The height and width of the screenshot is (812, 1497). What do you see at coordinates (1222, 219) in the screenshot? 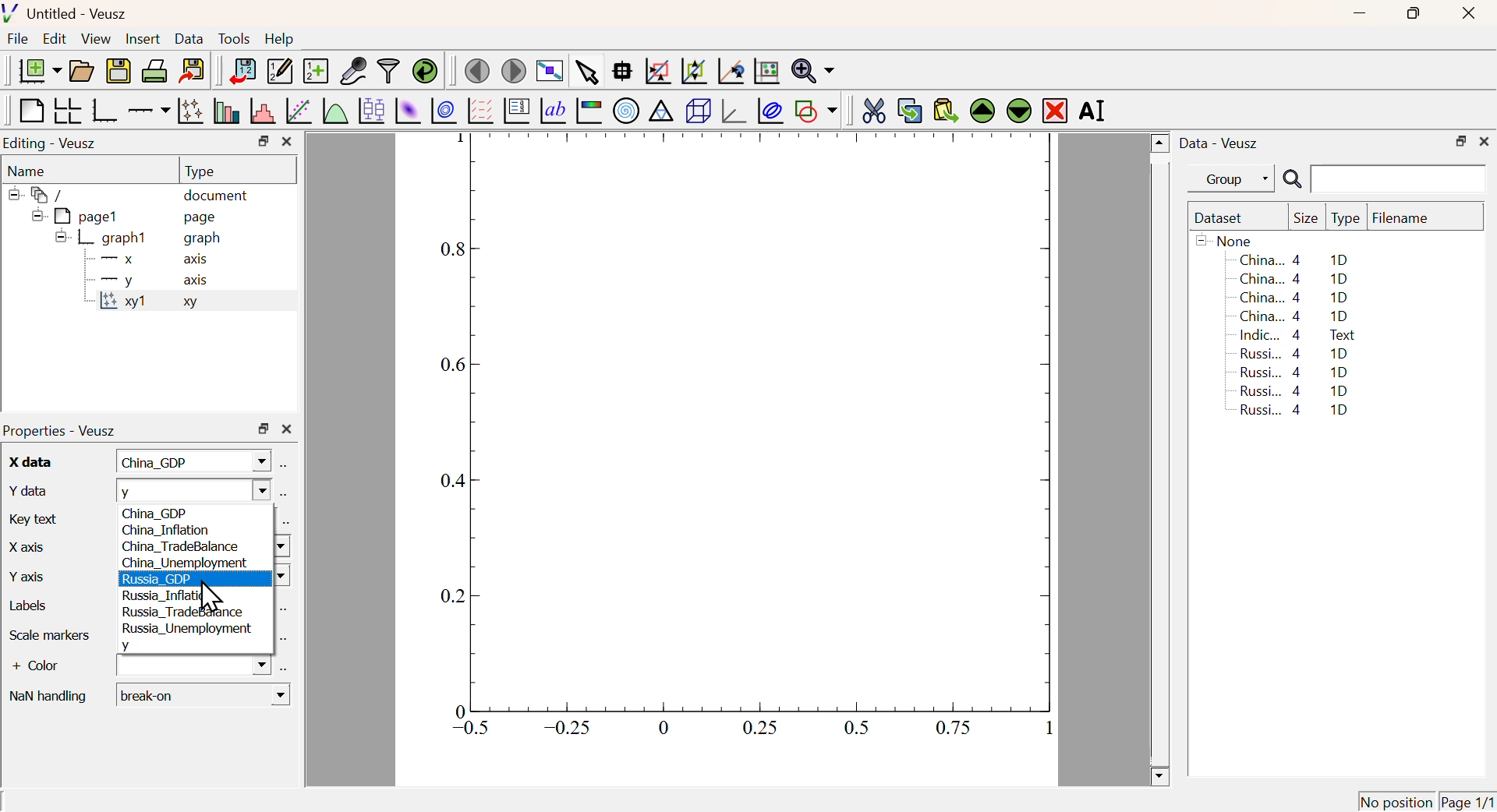
I see `Dataset` at bounding box center [1222, 219].